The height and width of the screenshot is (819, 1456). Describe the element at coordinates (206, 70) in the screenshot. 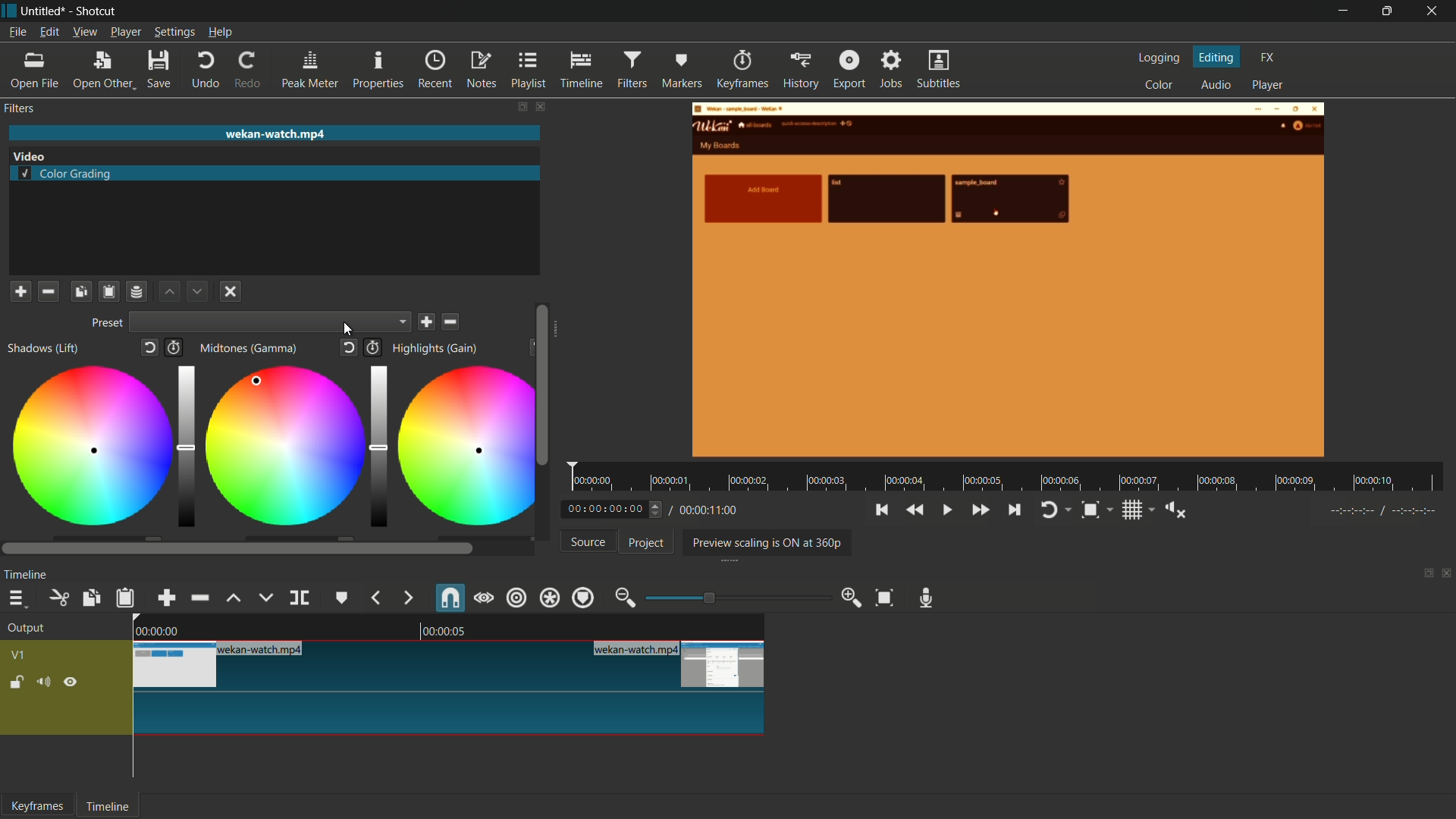

I see `undo` at that location.